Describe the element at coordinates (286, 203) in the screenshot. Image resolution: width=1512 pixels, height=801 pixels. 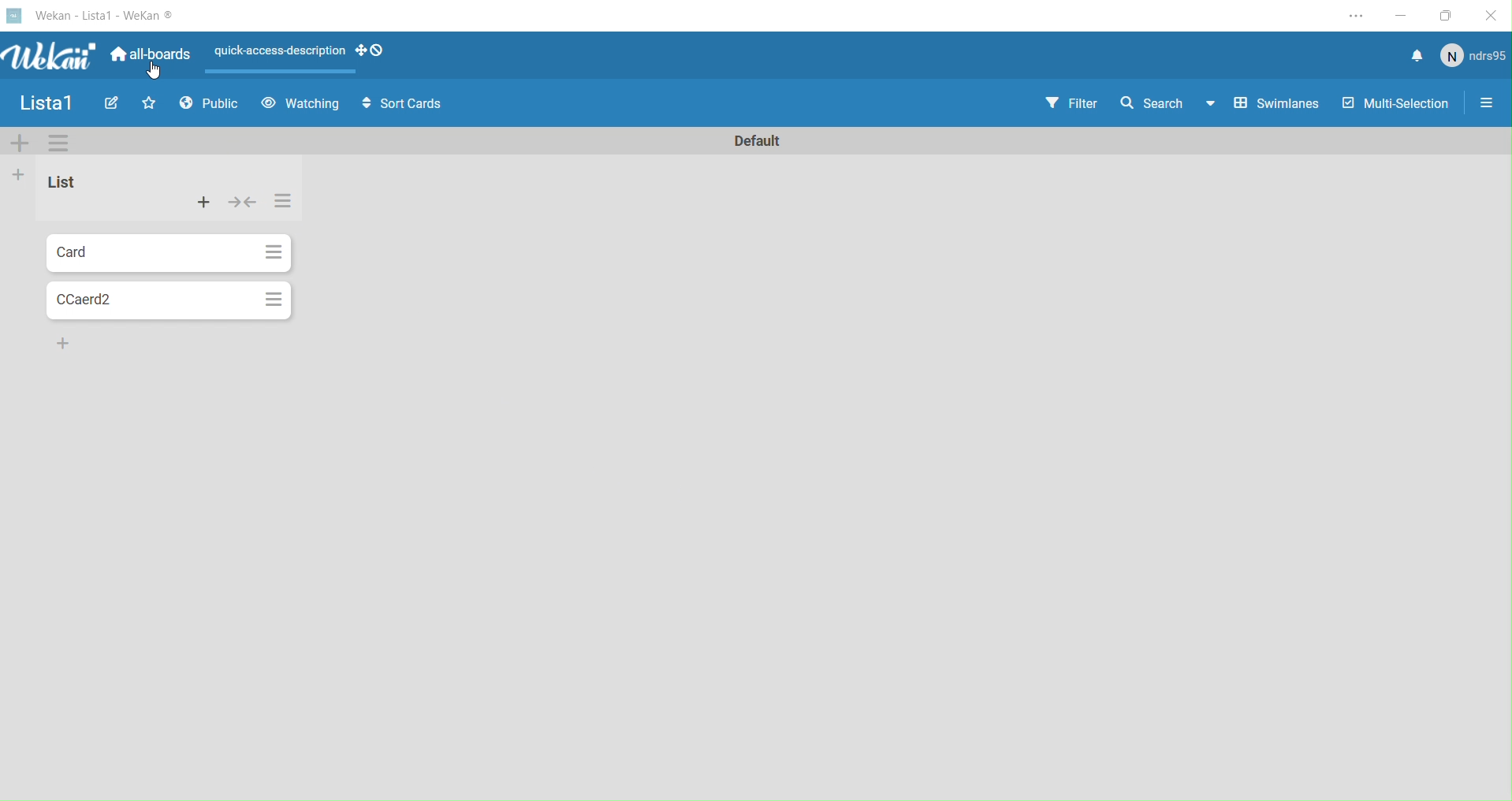
I see `Options` at that location.